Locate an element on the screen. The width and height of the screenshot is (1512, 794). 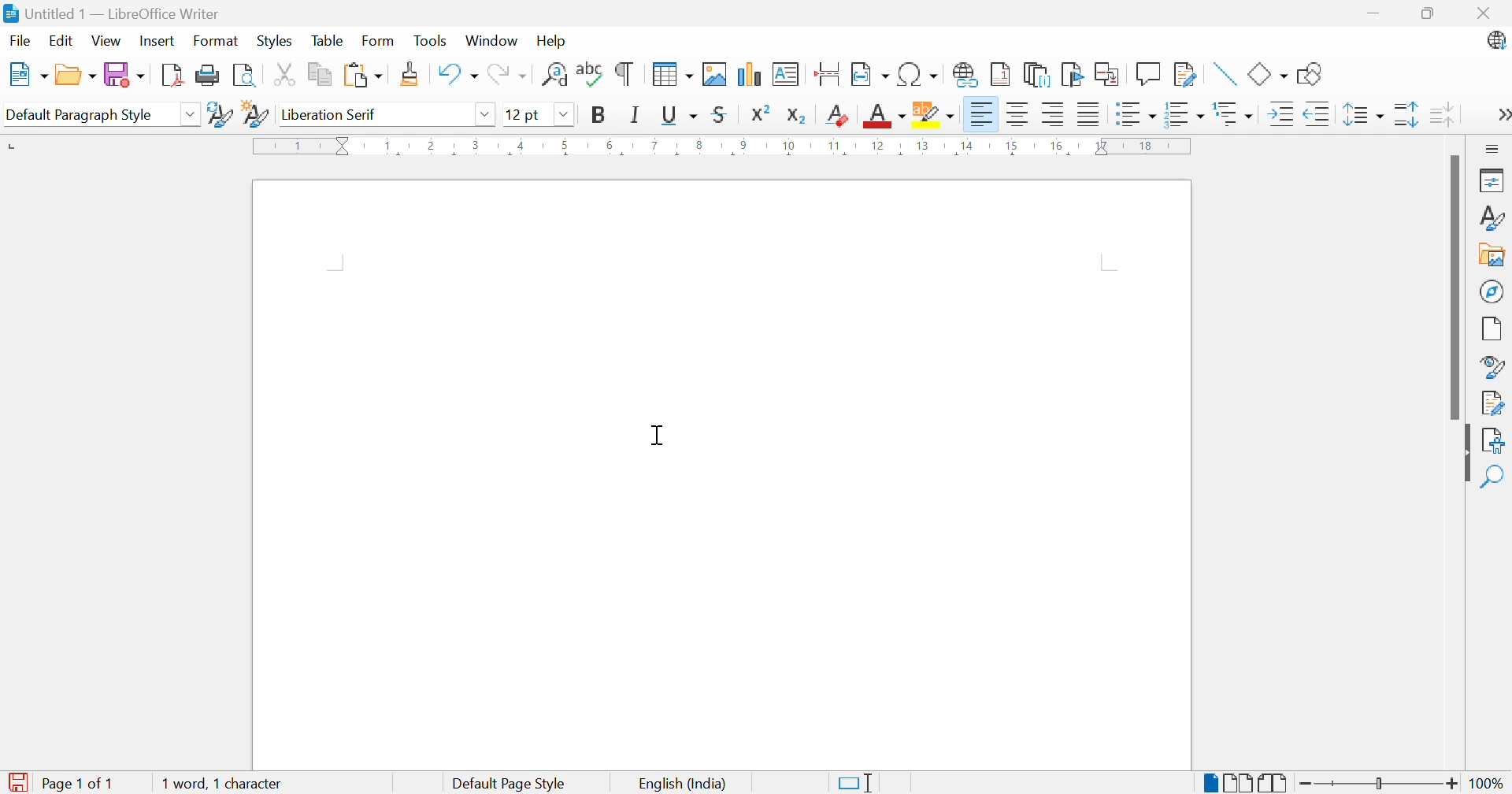
Insert chart is located at coordinates (747, 75).